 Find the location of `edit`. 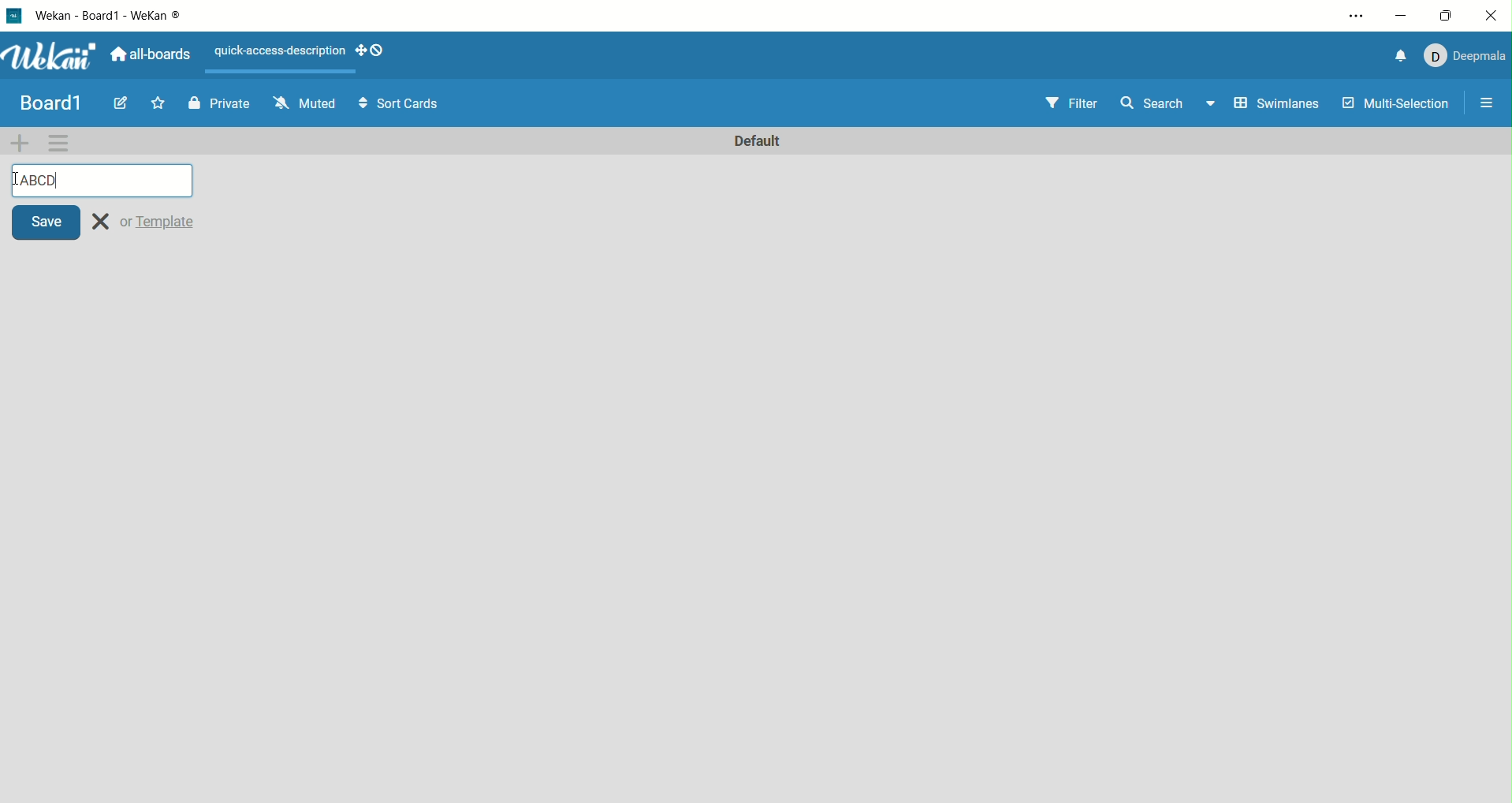

edit is located at coordinates (117, 104).